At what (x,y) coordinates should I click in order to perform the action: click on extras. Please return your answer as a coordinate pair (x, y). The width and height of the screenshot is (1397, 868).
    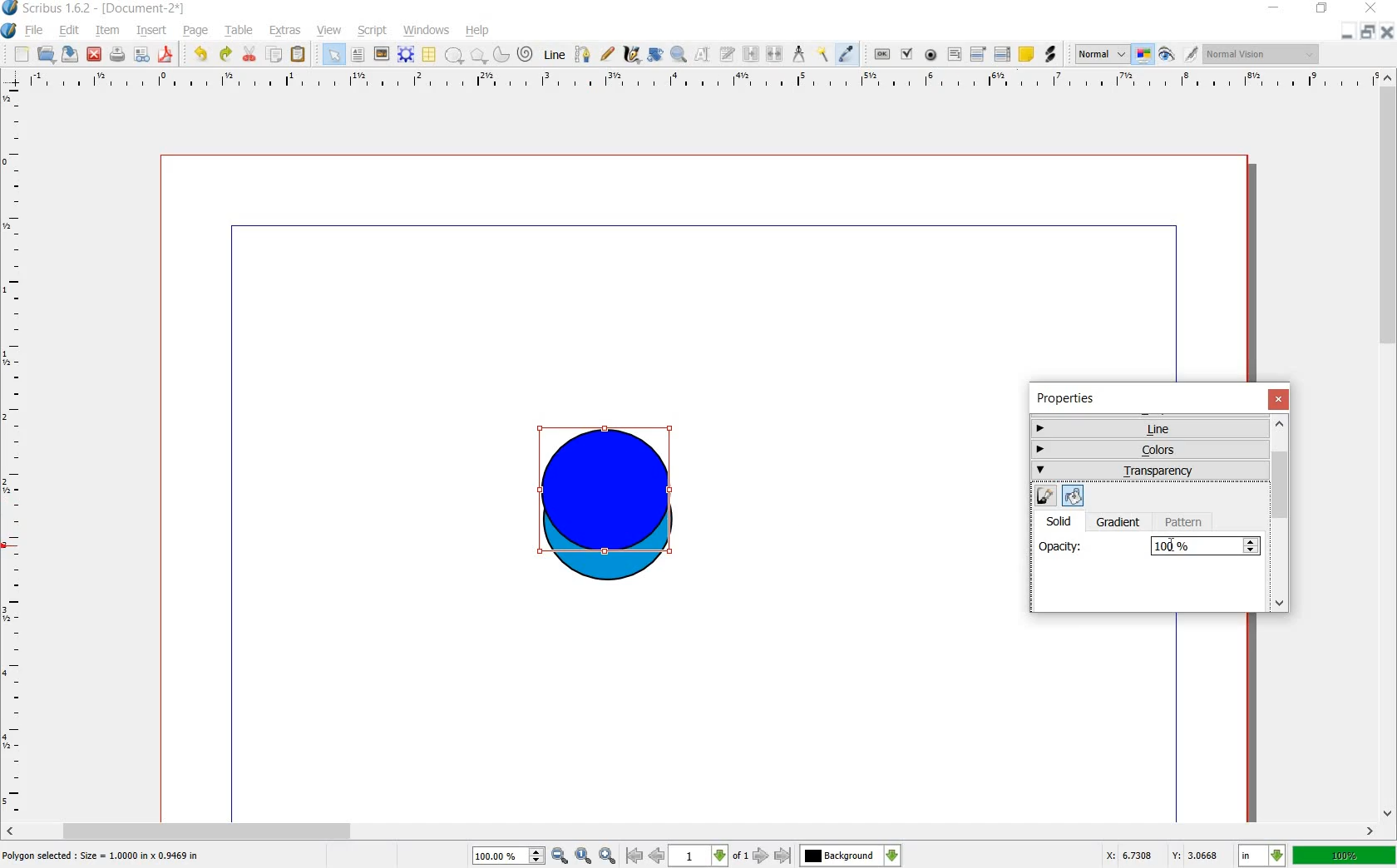
    Looking at the image, I should click on (285, 31).